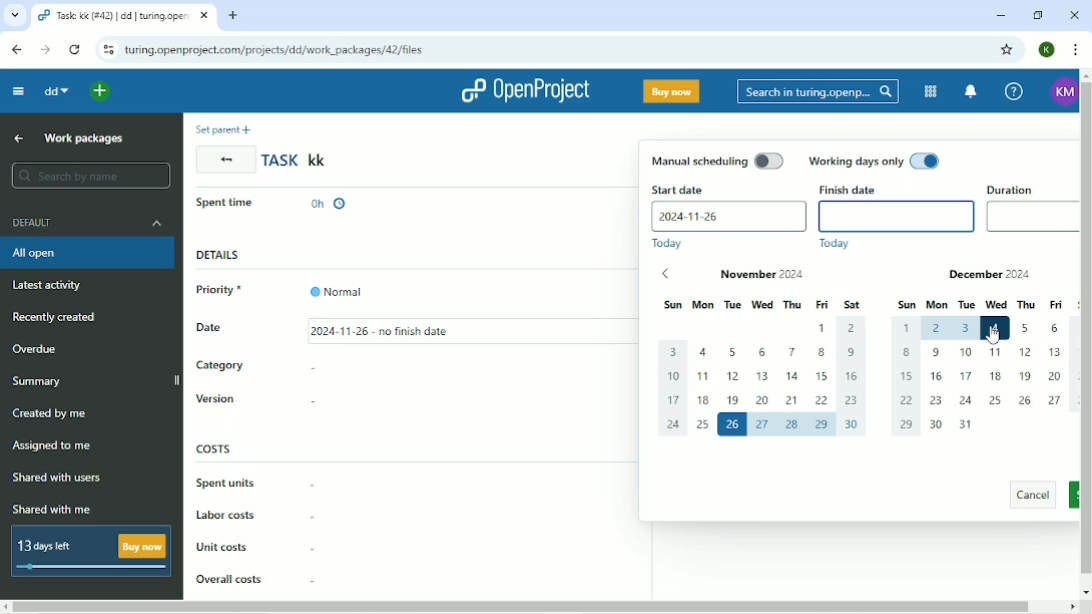  Describe the element at coordinates (36, 382) in the screenshot. I see `Summary` at that location.